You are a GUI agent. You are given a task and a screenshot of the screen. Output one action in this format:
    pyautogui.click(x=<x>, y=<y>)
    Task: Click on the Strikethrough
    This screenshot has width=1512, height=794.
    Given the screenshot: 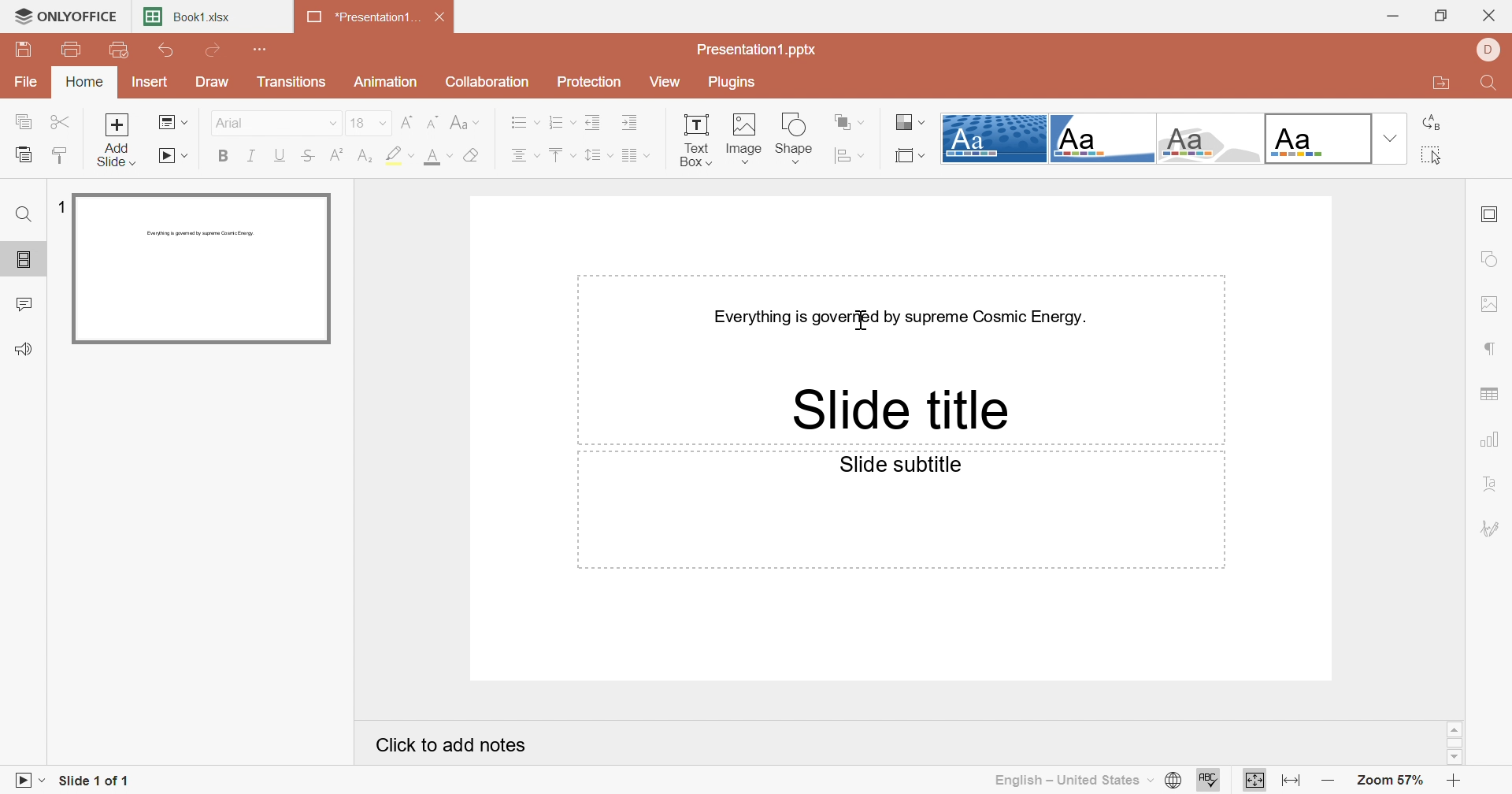 What is the action you would take?
    pyautogui.click(x=308, y=154)
    